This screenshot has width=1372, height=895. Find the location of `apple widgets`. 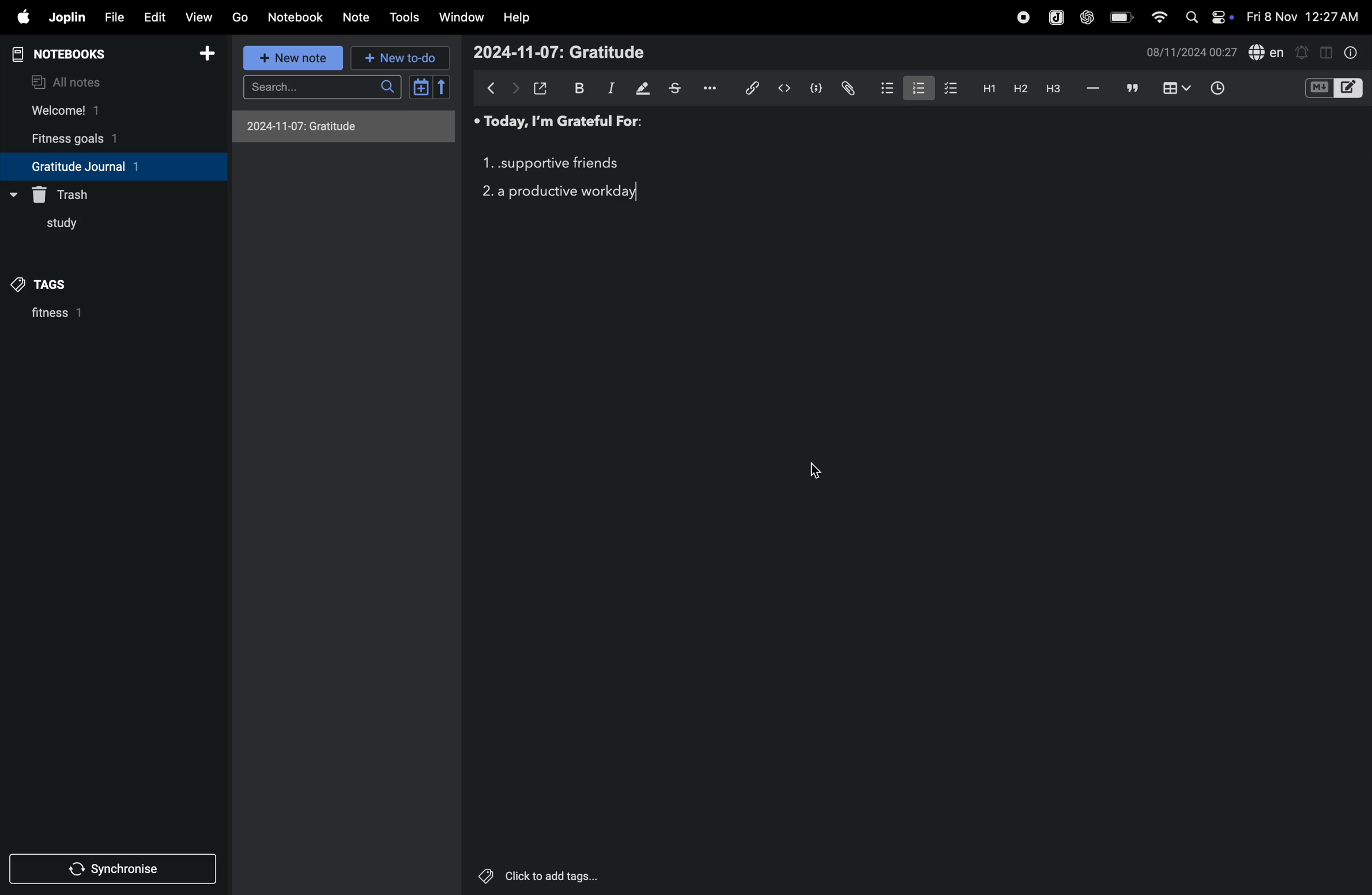

apple widgets is located at coordinates (1208, 17).